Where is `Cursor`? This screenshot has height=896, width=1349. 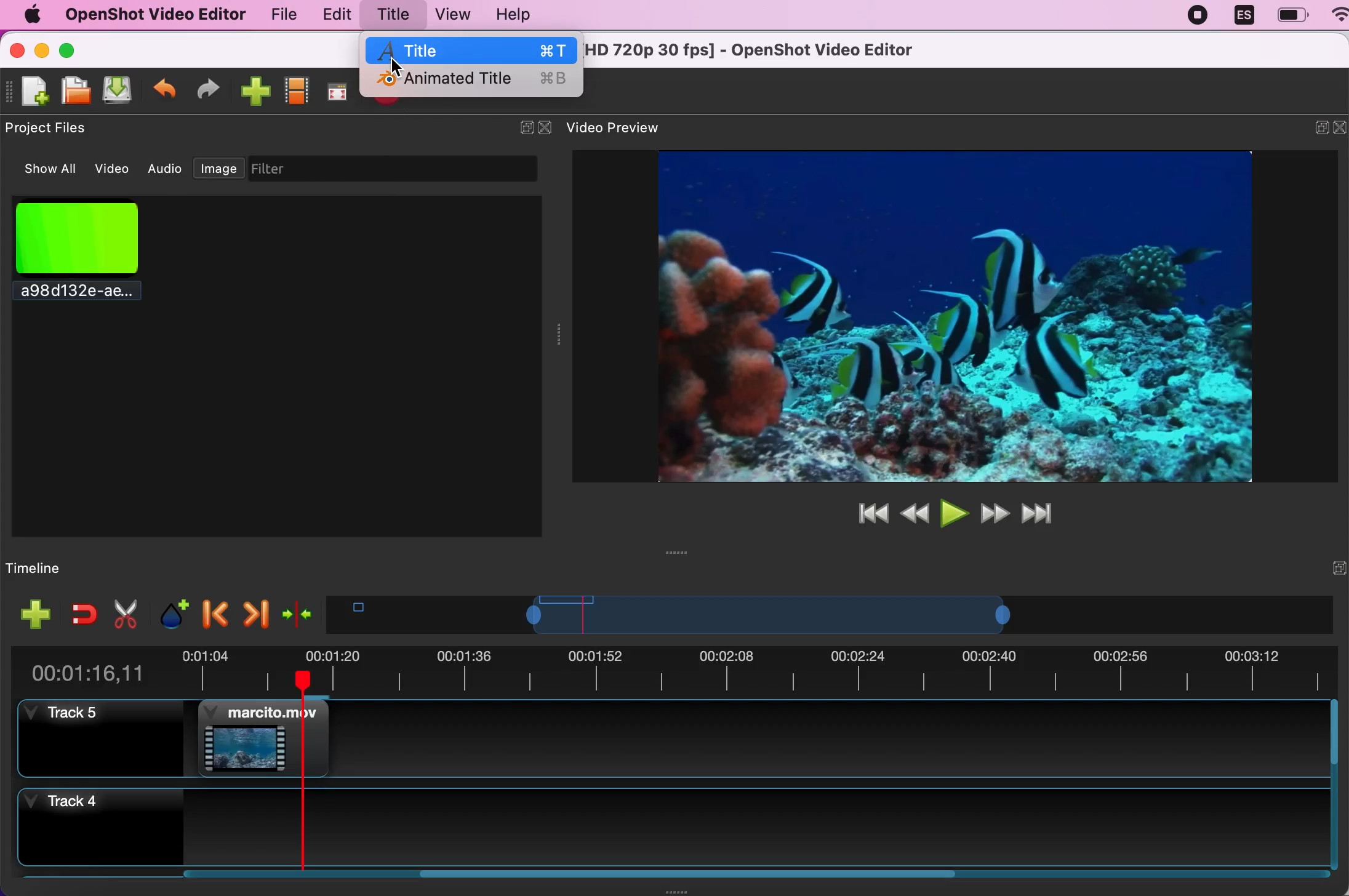 Cursor is located at coordinates (397, 66).